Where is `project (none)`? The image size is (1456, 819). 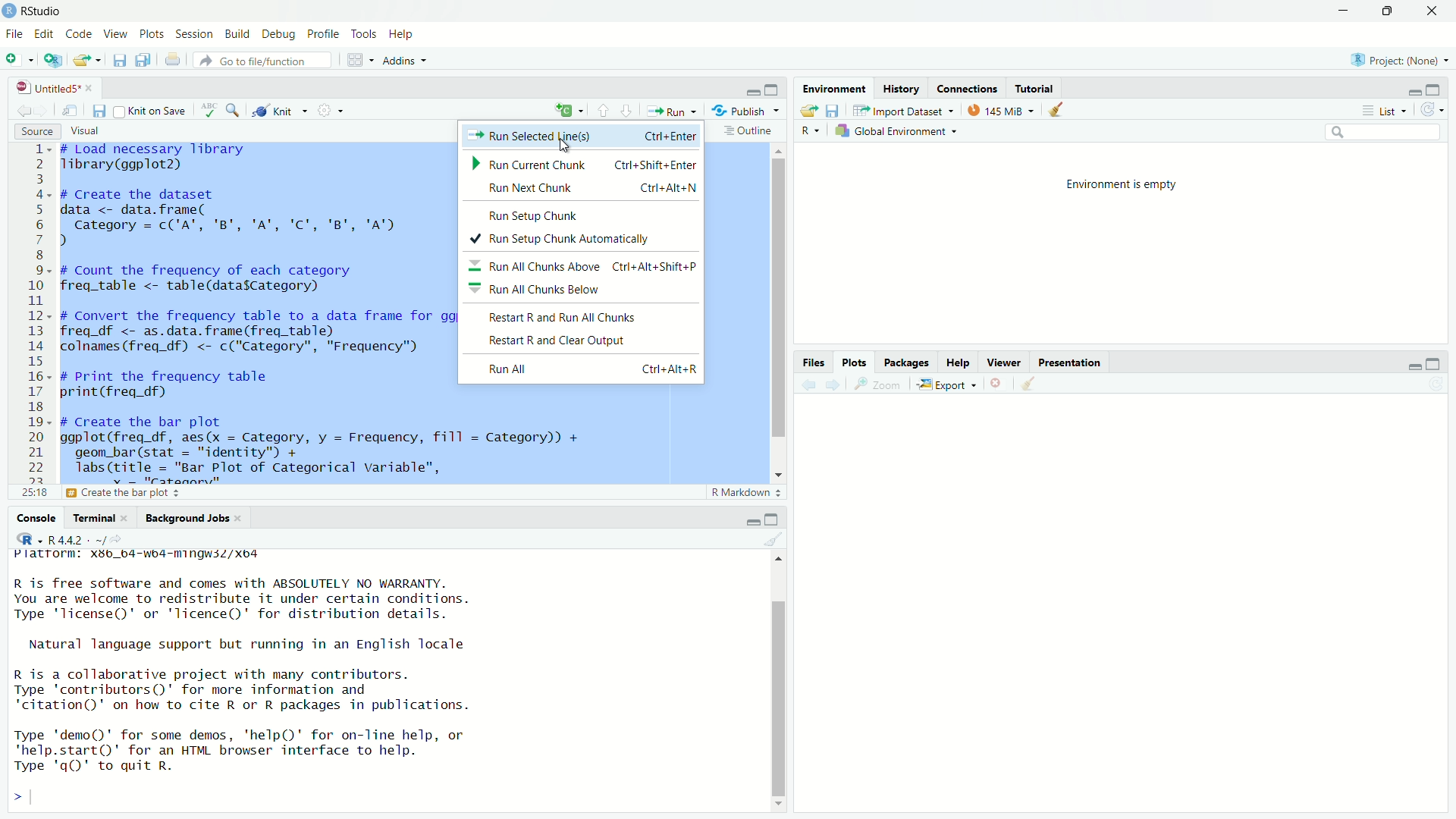
project (none) is located at coordinates (1402, 61).